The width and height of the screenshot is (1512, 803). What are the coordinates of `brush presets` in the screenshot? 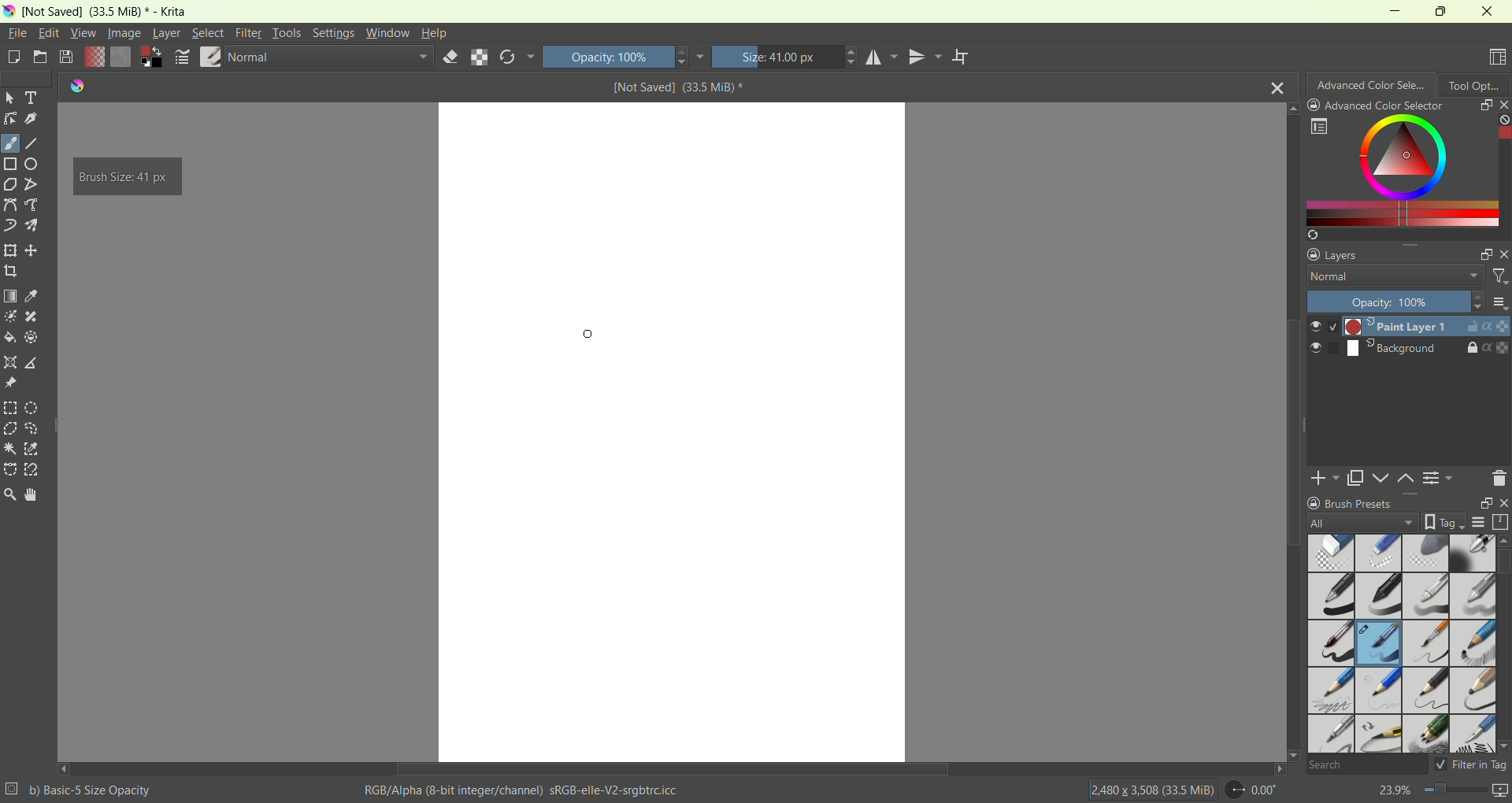 It's located at (1350, 503).